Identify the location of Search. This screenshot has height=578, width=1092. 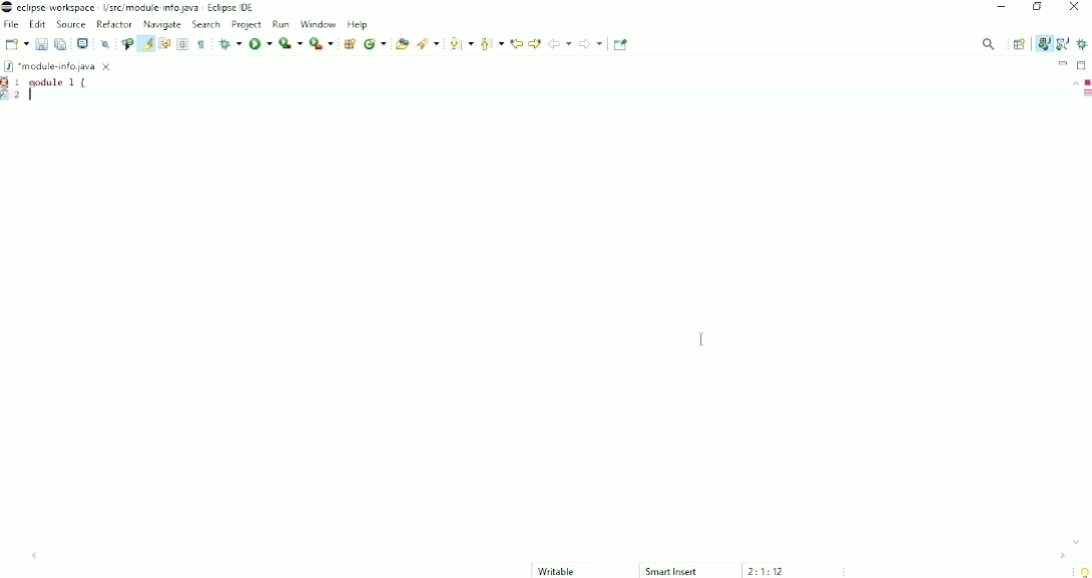
(428, 44).